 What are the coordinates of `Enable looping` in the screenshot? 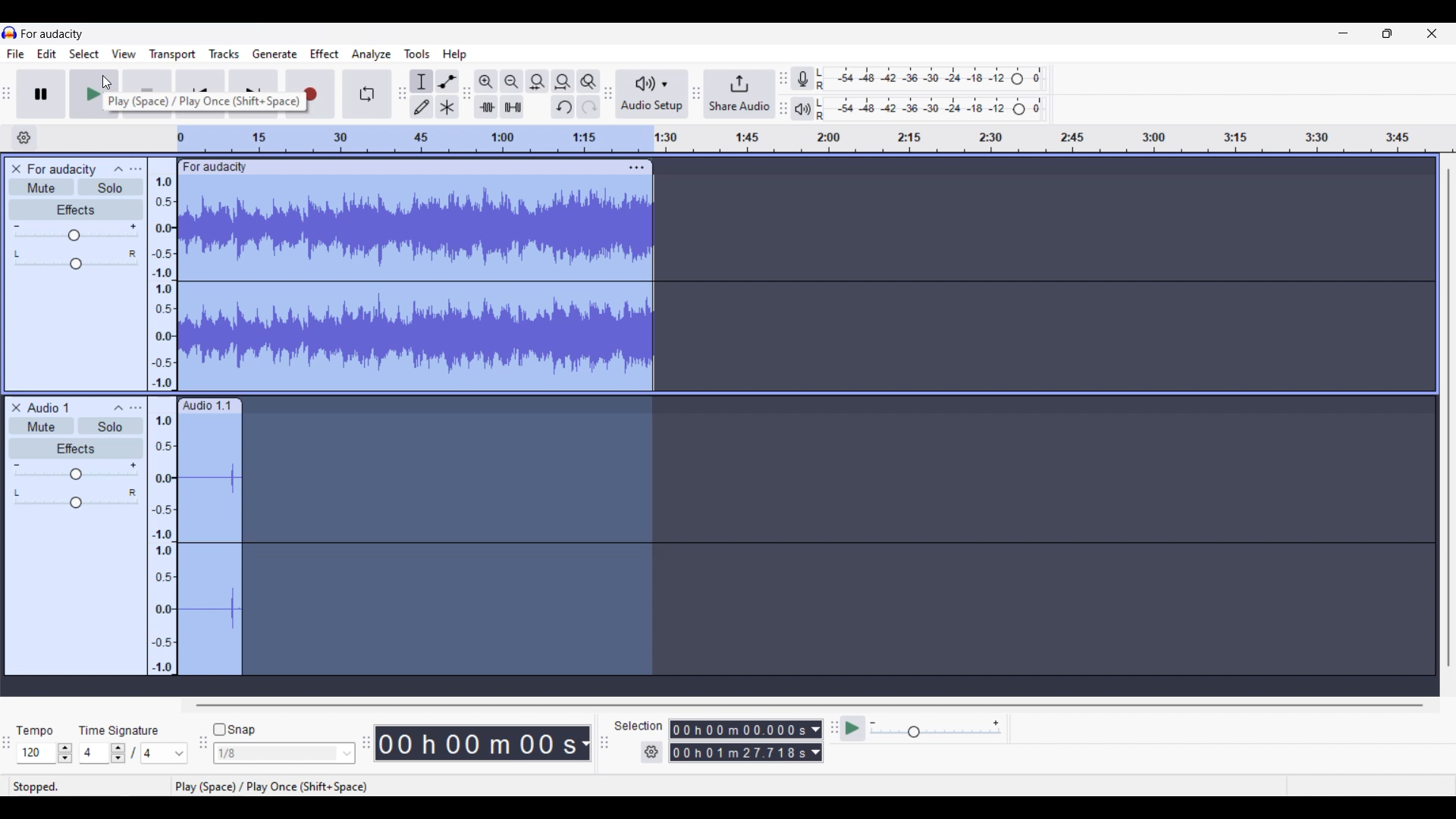 It's located at (366, 94).